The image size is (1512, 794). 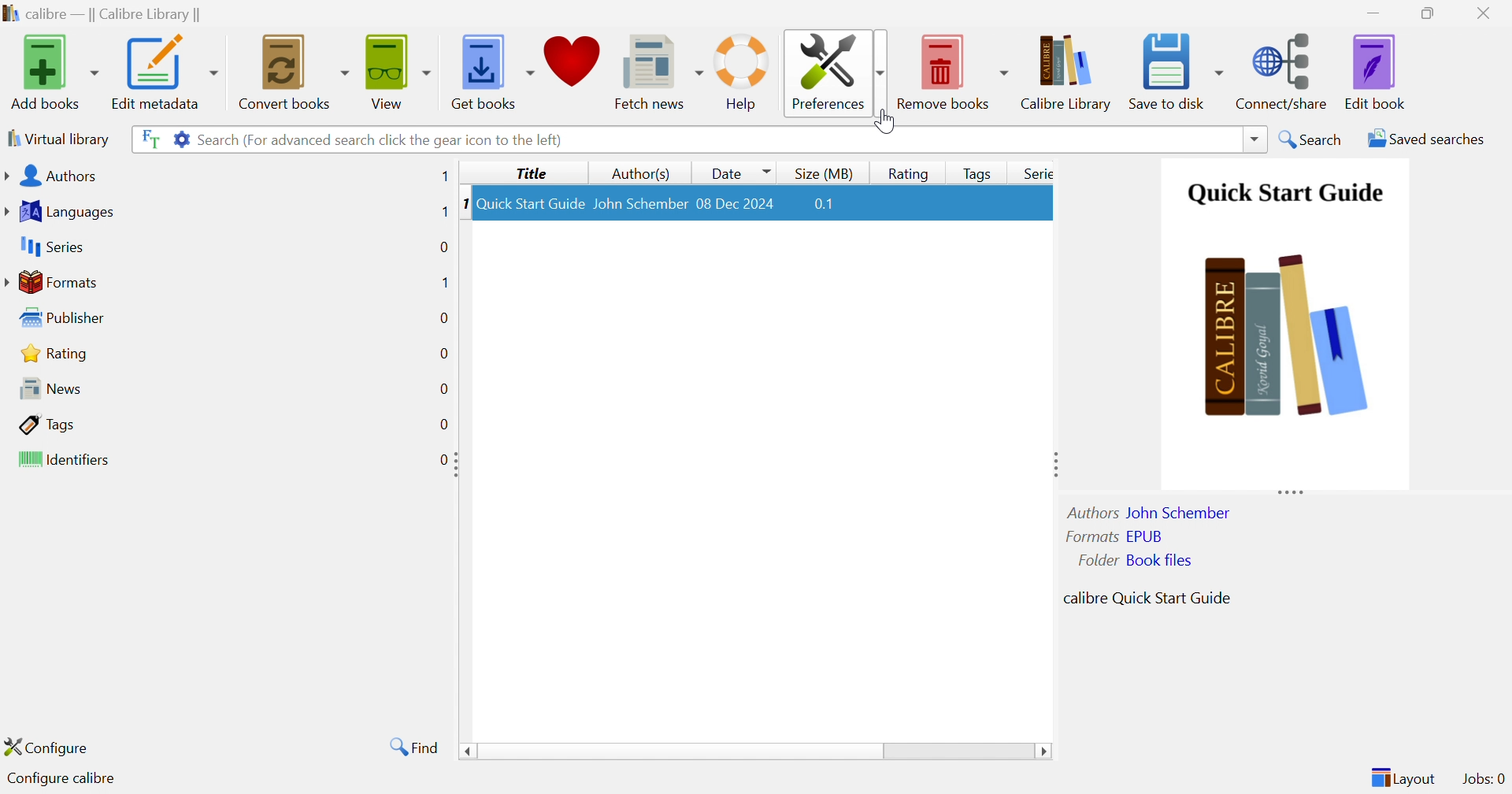 I want to click on Quick Start Guide, so click(x=1281, y=191).